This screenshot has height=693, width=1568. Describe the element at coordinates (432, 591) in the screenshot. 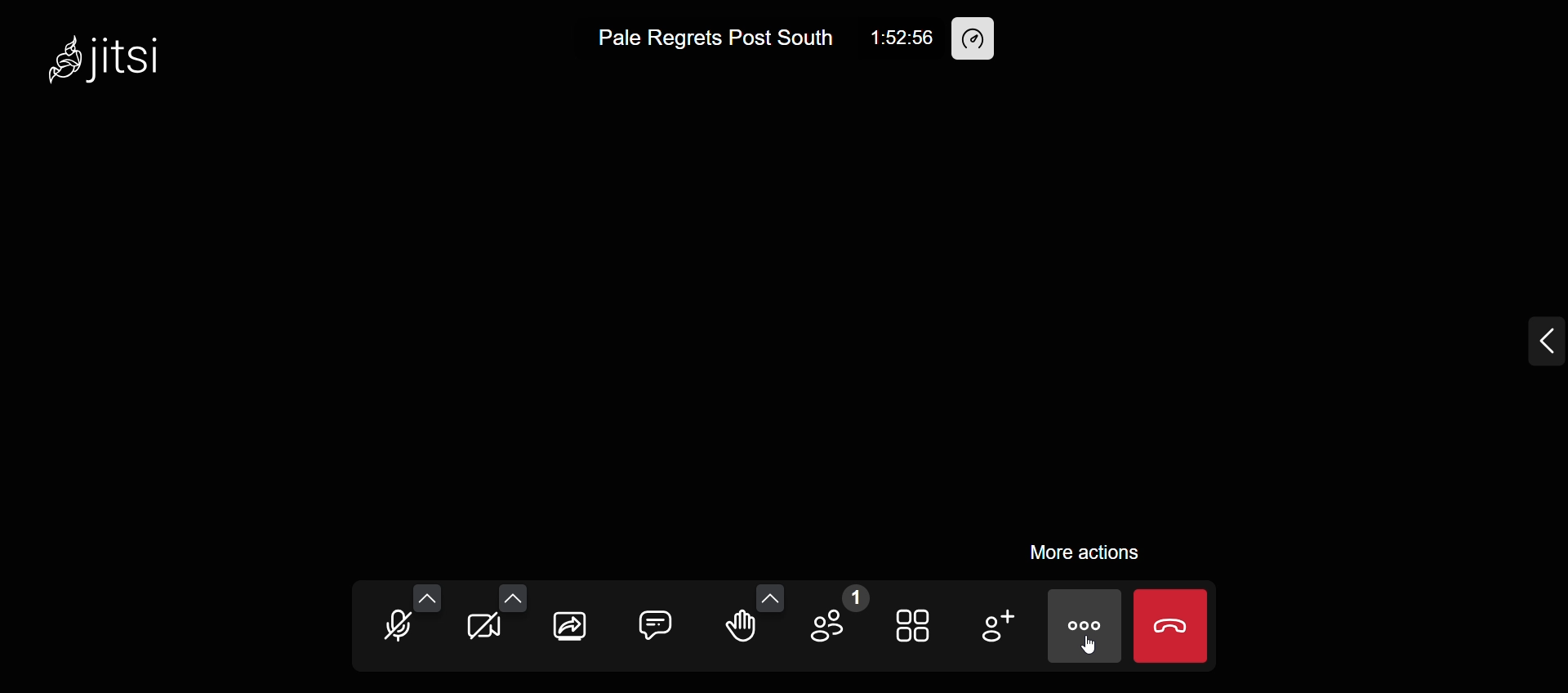

I see `audio setting` at that location.